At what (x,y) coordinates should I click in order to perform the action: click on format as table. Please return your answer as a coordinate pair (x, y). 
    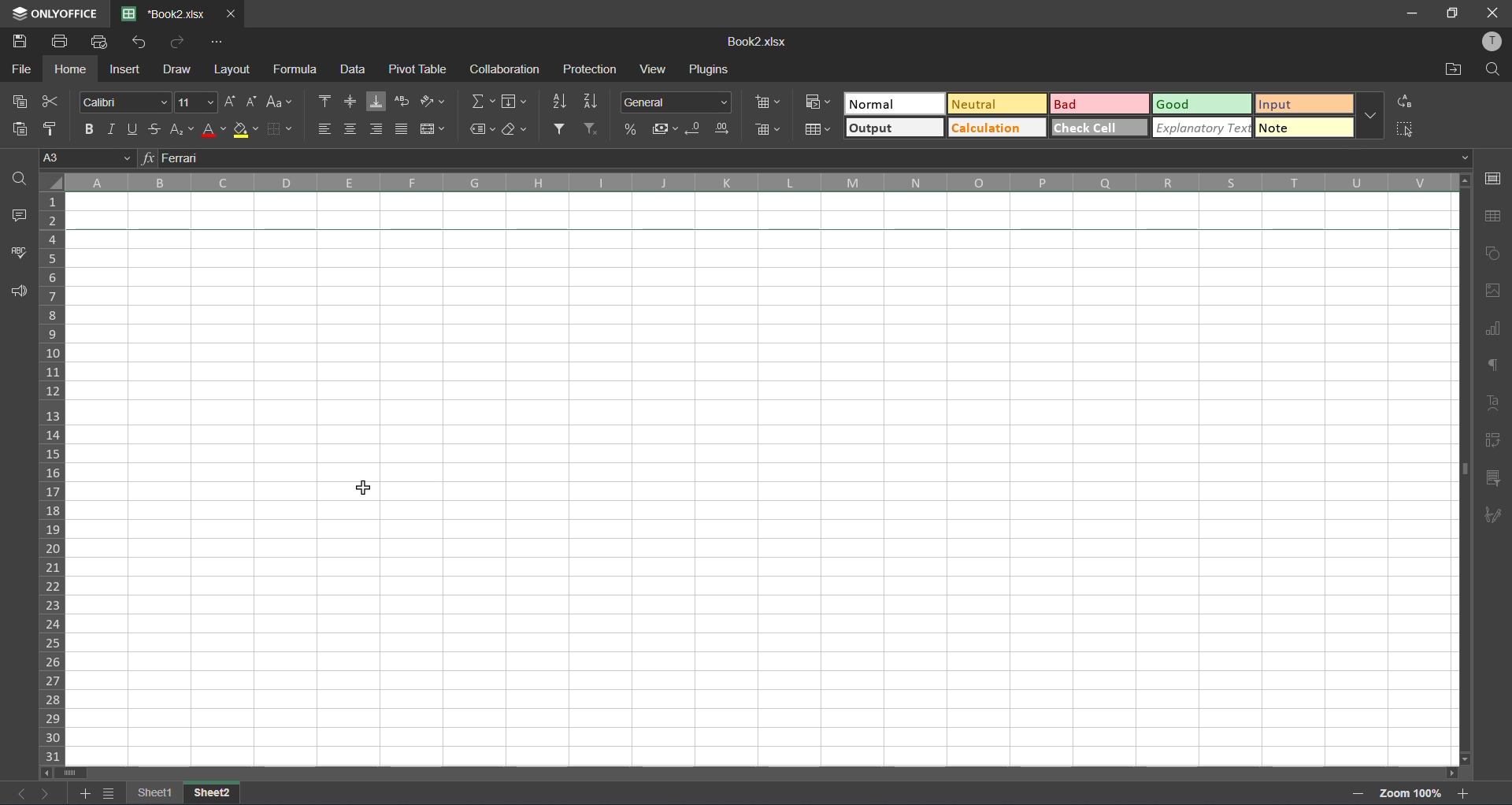
    Looking at the image, I should click on (818, 130).